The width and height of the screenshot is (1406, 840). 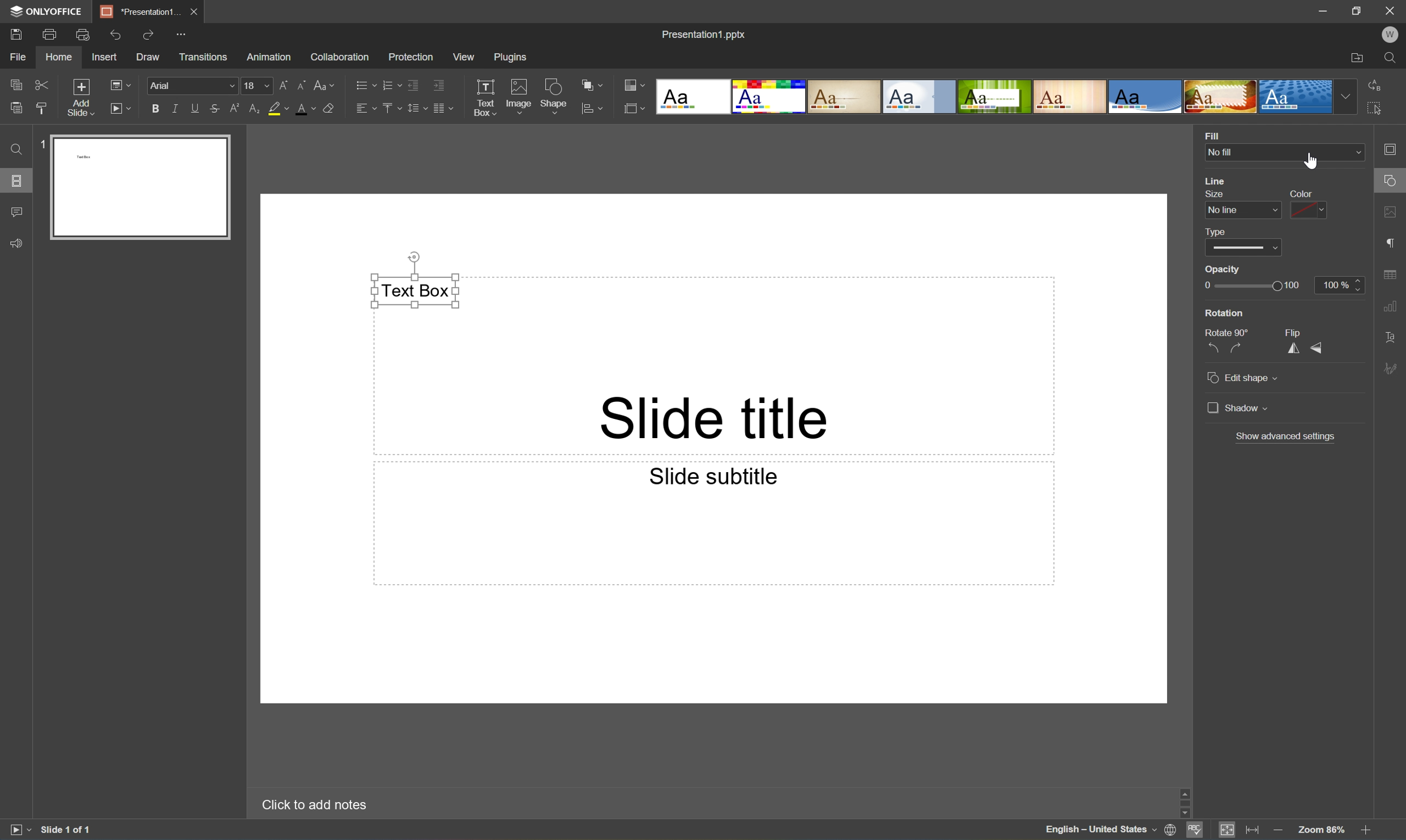 I want to click on Find, so click(x=18, y=149).